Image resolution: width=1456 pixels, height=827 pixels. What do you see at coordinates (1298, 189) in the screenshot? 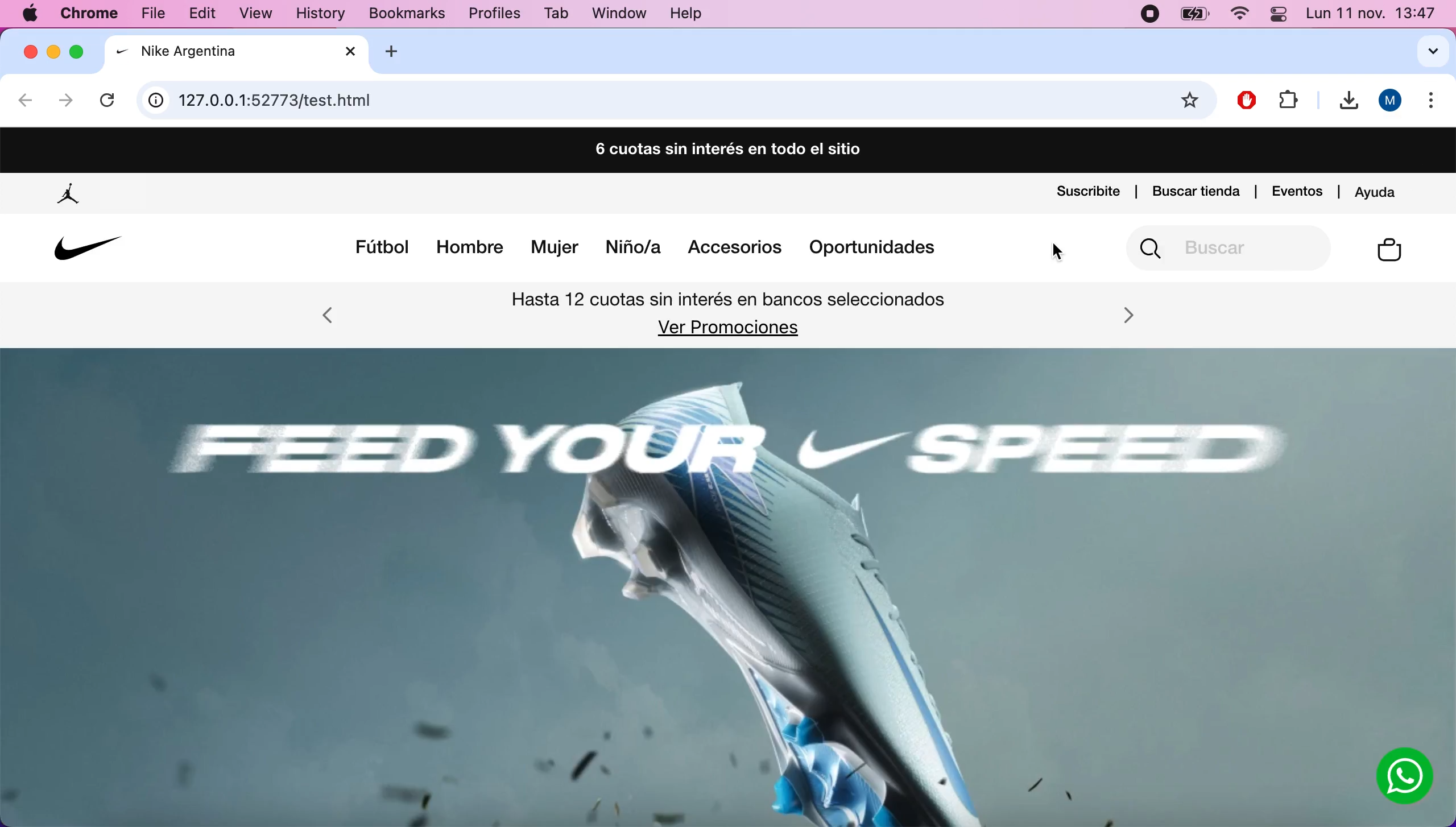
I see `eventos` at bounding box center [1298, 189].